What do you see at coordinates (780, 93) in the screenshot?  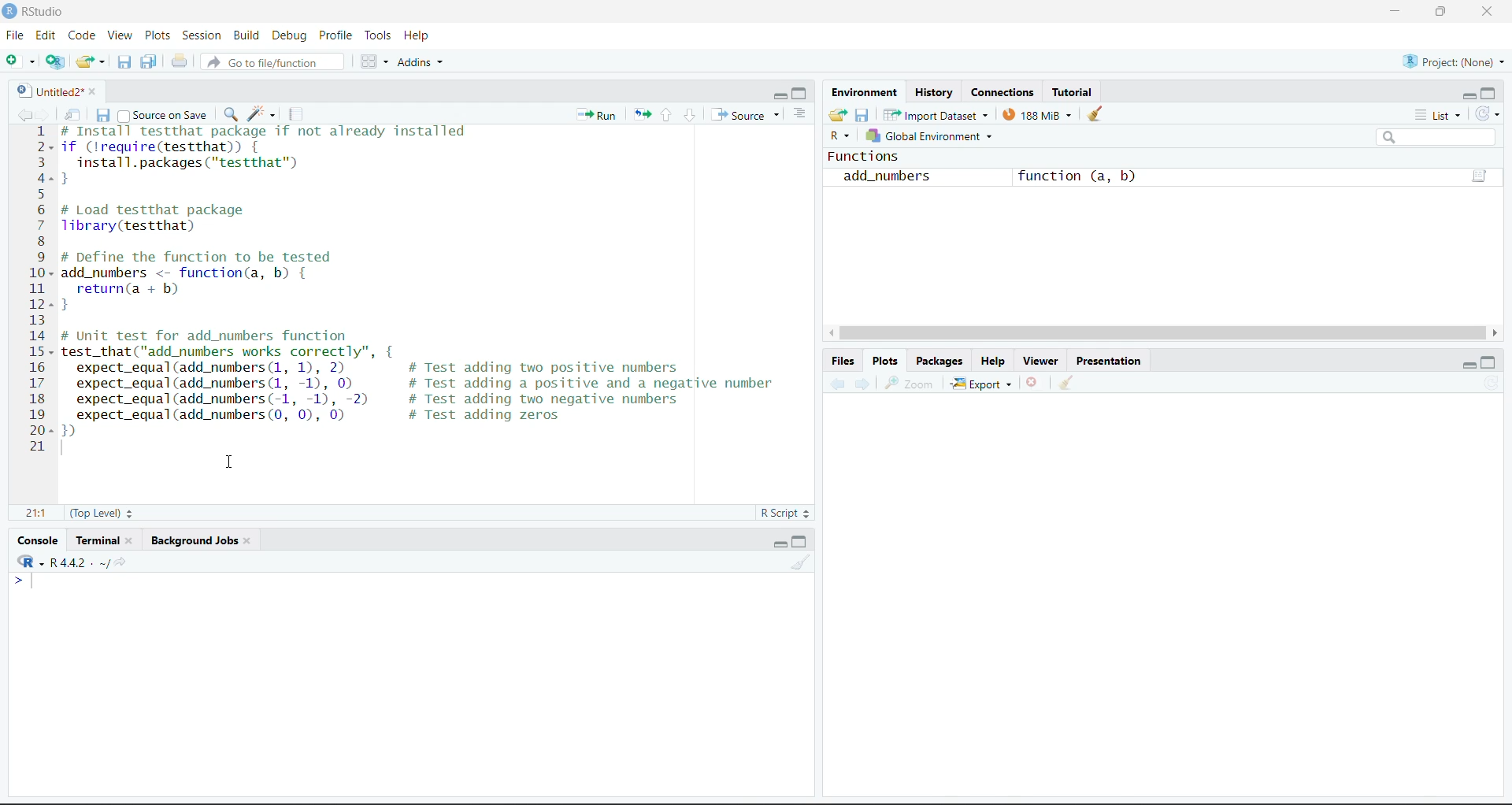 I see `minimize` at bounding box center [780, 93].